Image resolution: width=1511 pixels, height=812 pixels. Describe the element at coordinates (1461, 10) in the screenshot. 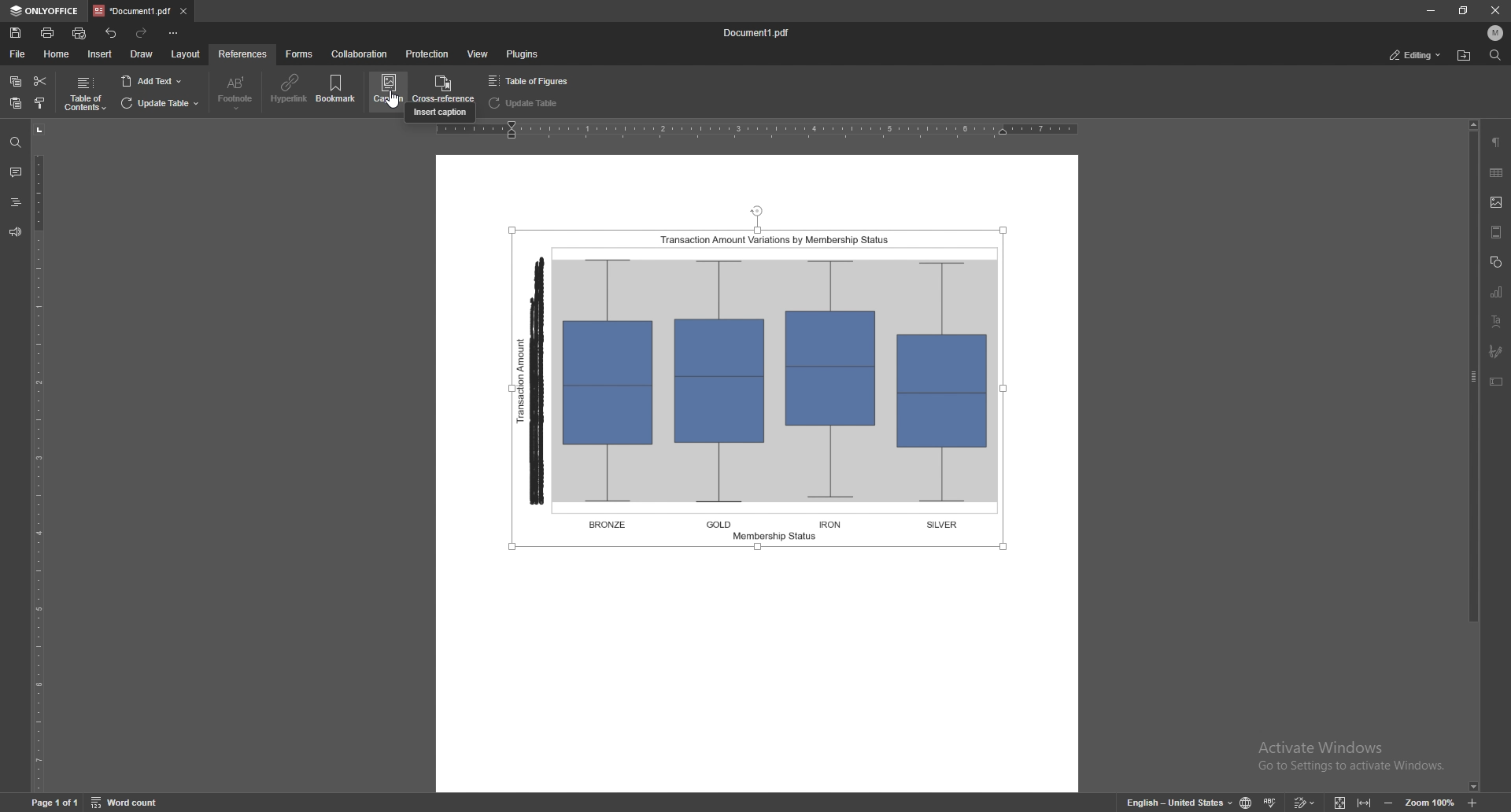

I see `resize` at that location.